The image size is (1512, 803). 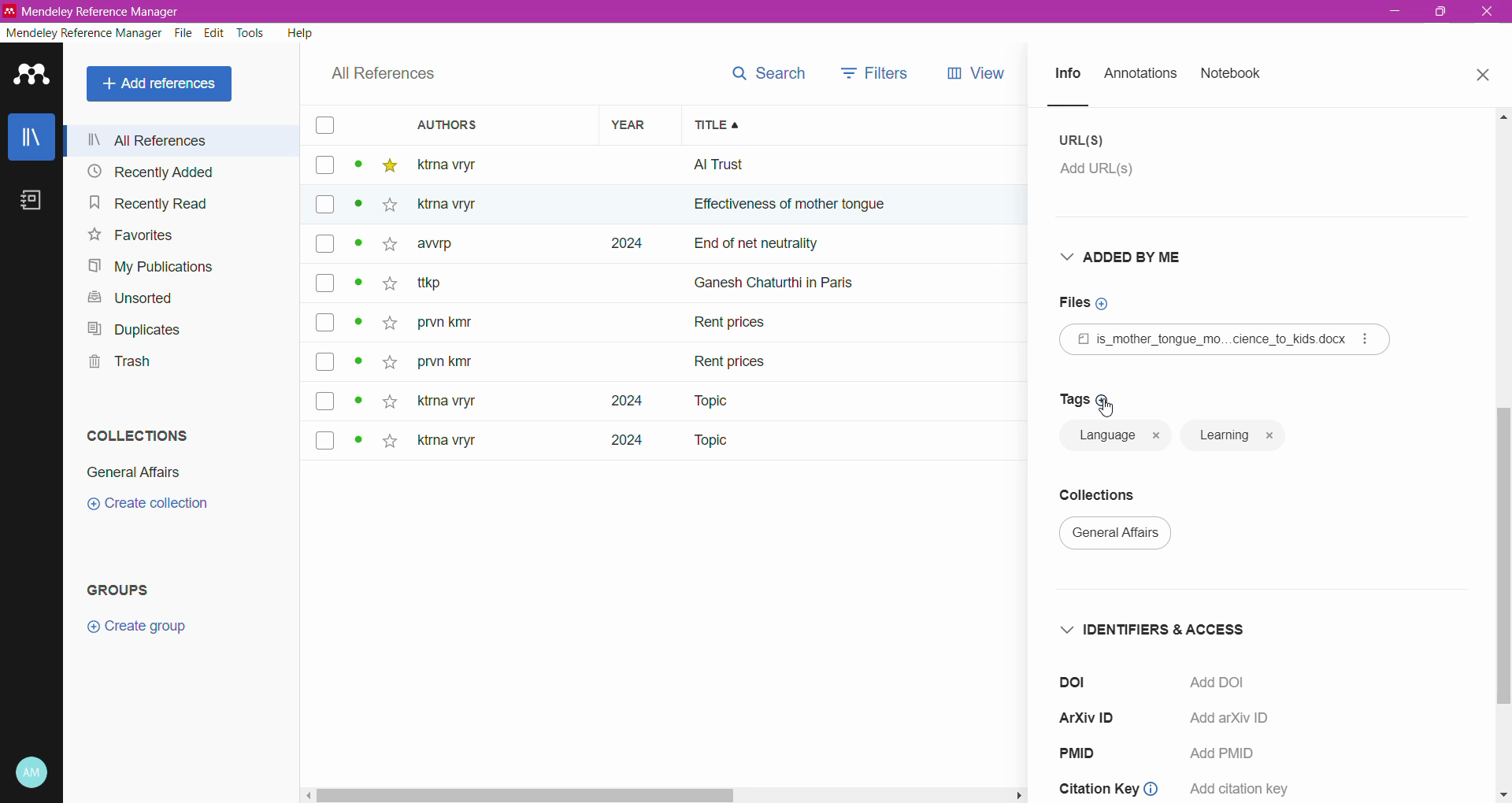 I want to click on Unsorted, so click(x=136, y=299).